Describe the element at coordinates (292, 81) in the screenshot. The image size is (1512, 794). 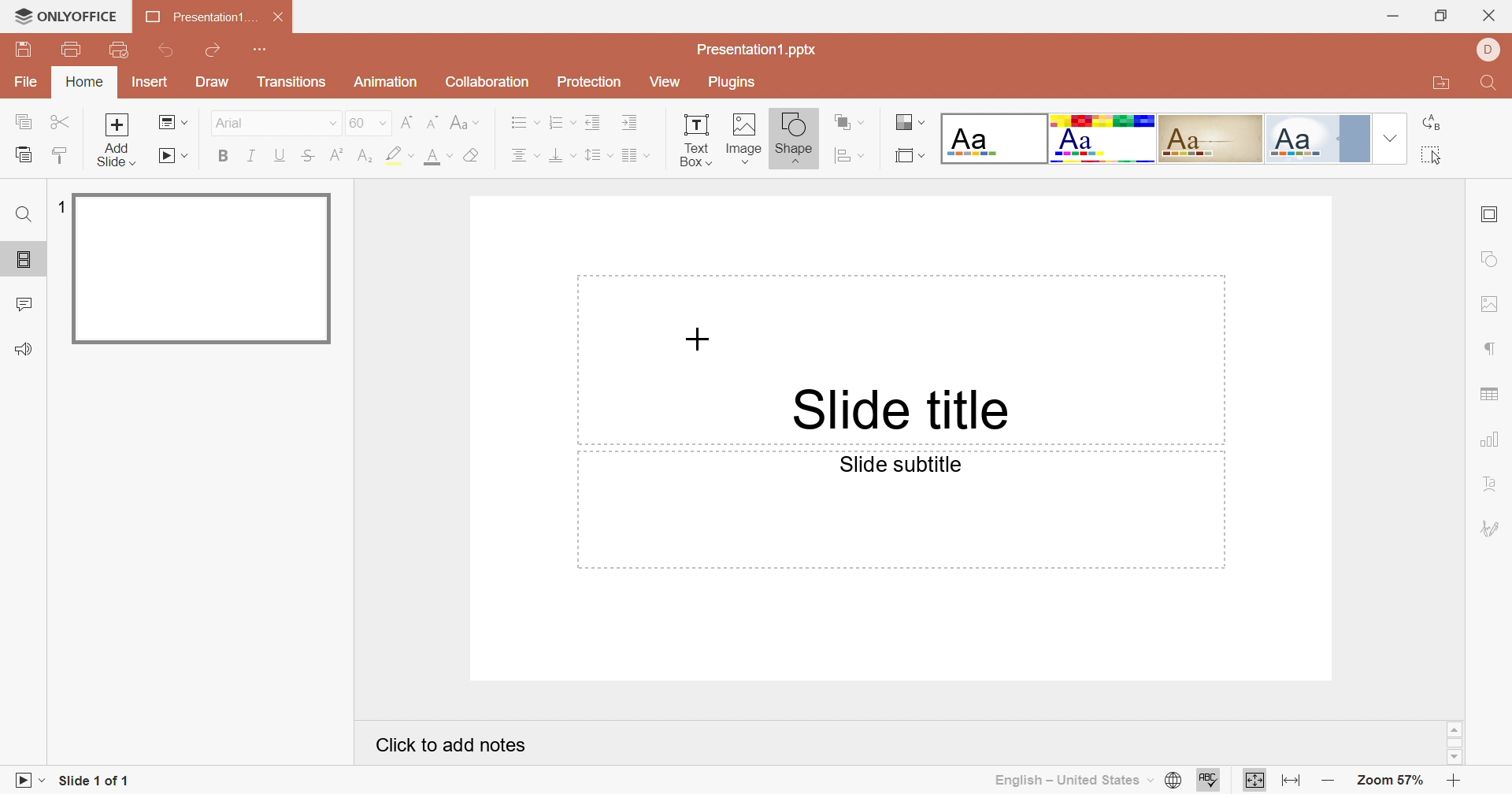
I see `Transitions` at that location.